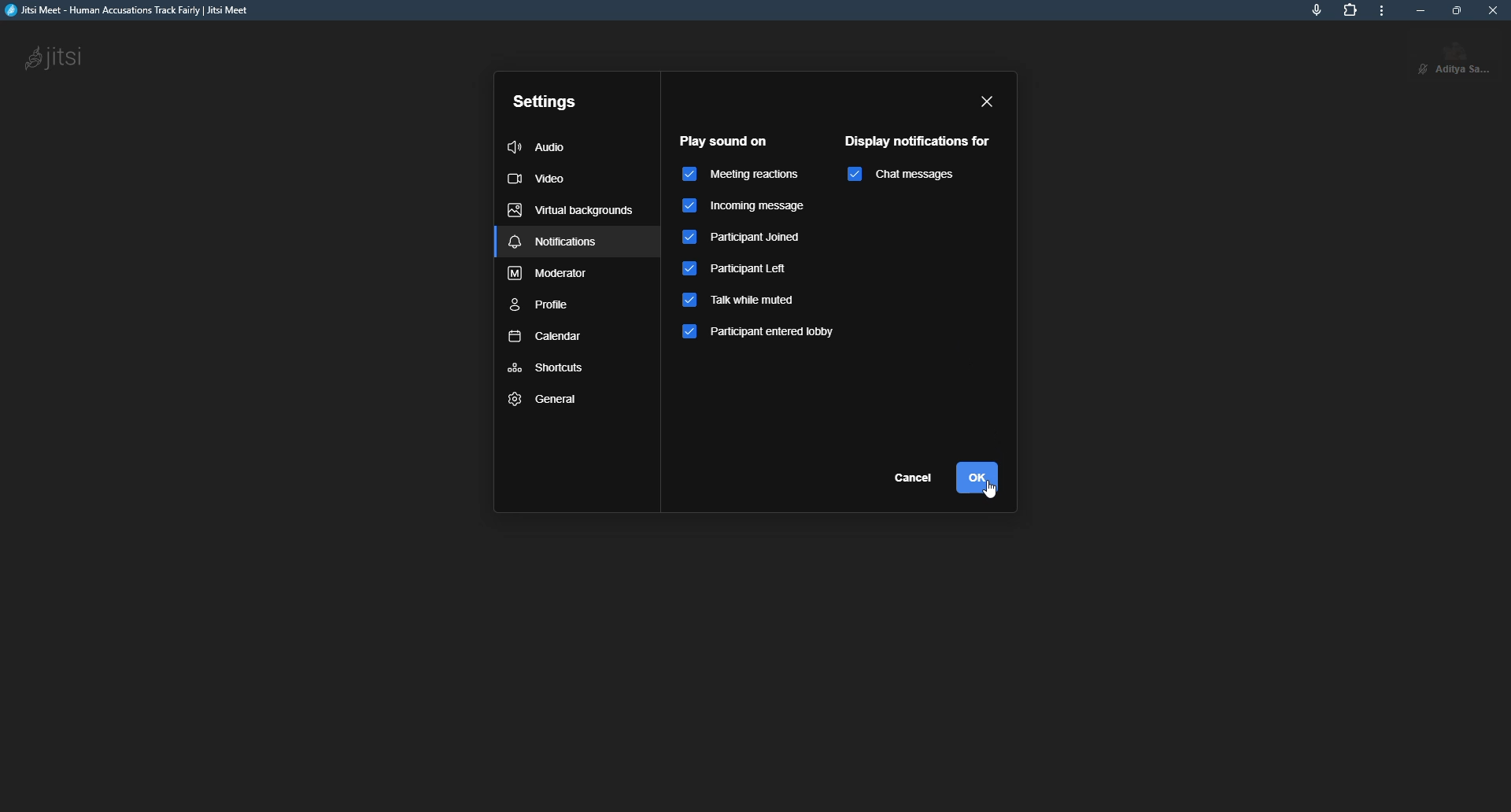 This screenshot has width=1511, height=812. Describe the element at coordinates (1348, 10) in the screenshot. I see `extensions` at that location.